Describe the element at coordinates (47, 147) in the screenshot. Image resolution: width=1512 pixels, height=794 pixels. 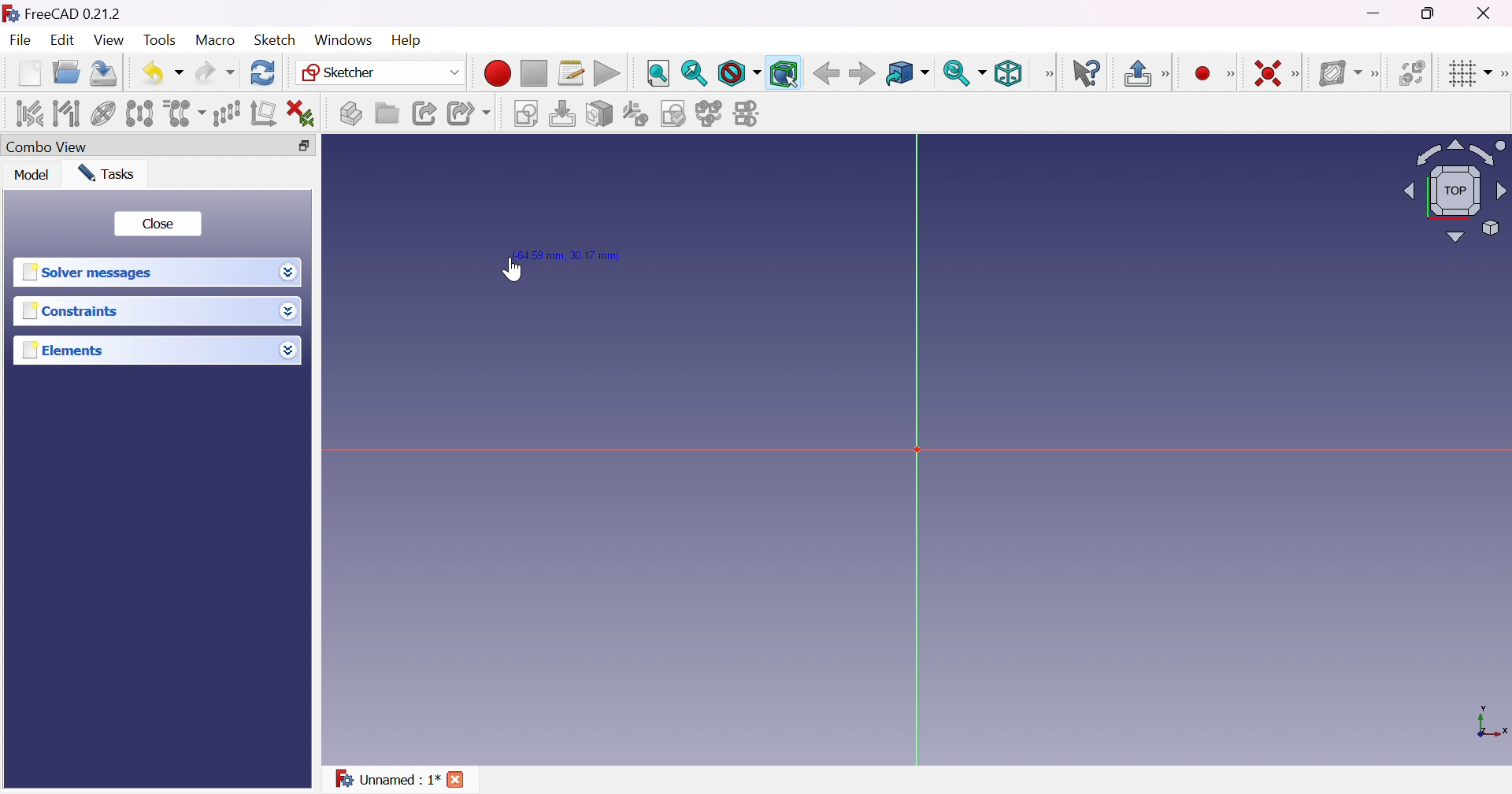
I see `Combo view` at that location.